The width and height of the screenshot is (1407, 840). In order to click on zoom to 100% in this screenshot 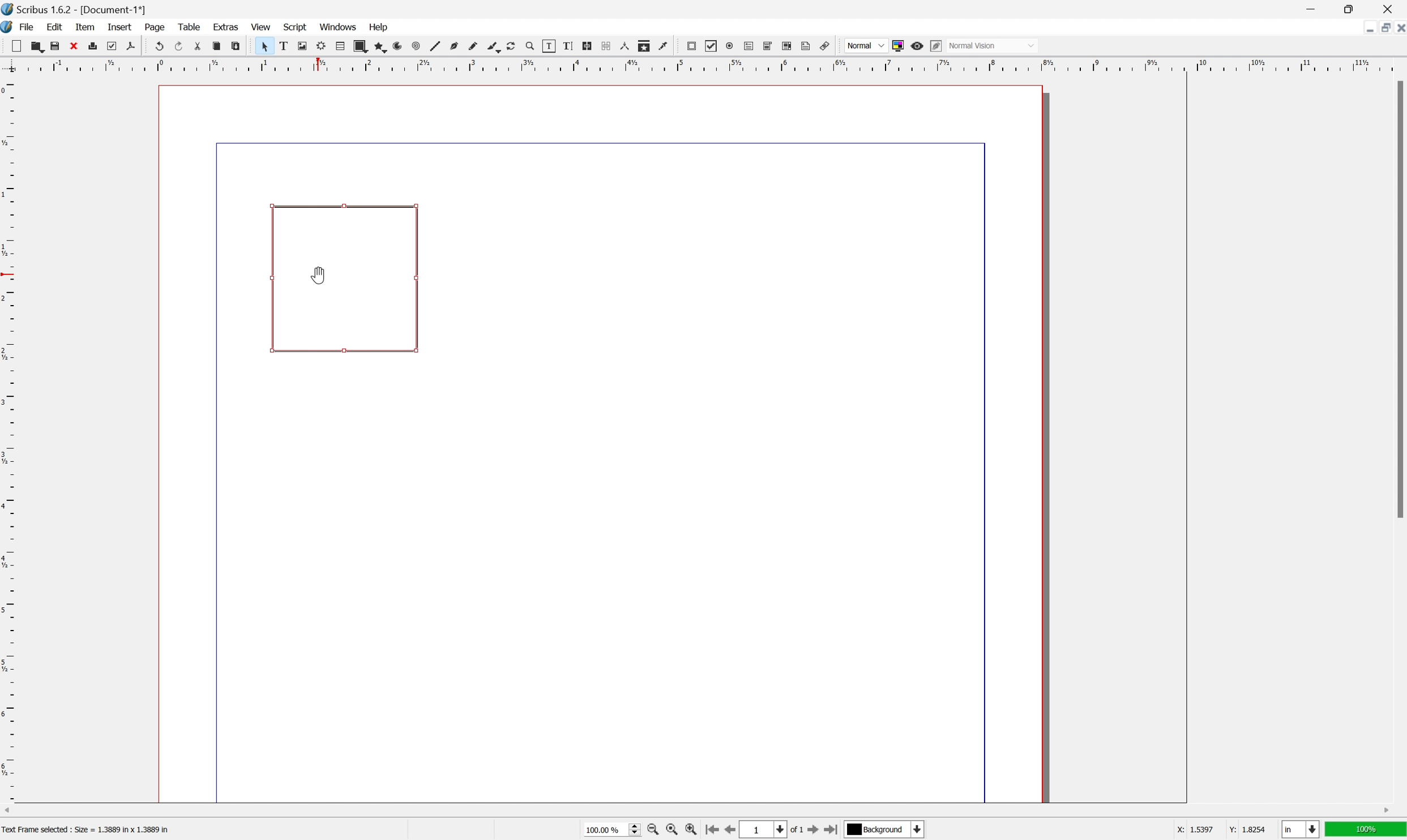, I will do `click(669, 830)`.